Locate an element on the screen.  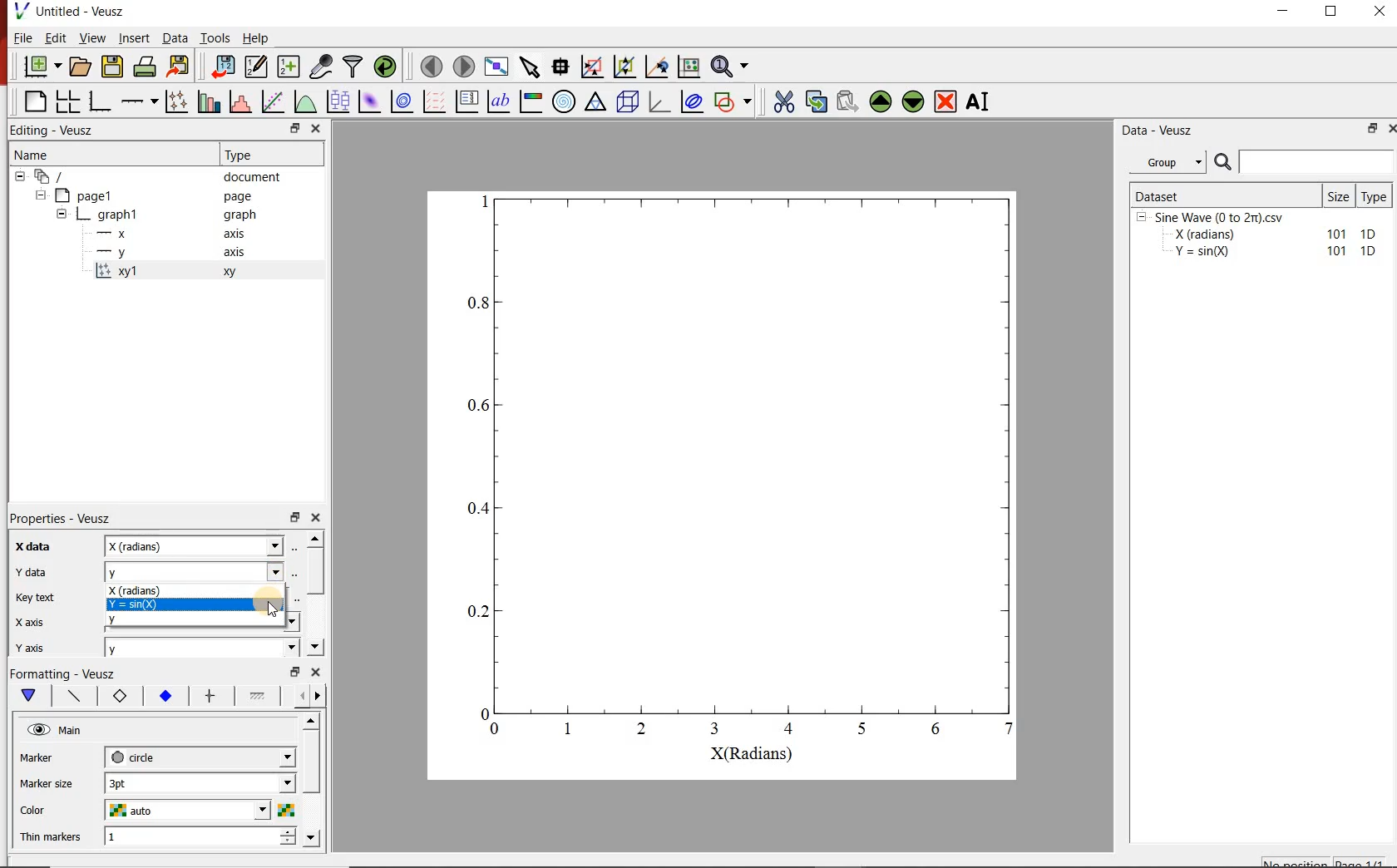
hit a function is located at coordinates (274, 101).